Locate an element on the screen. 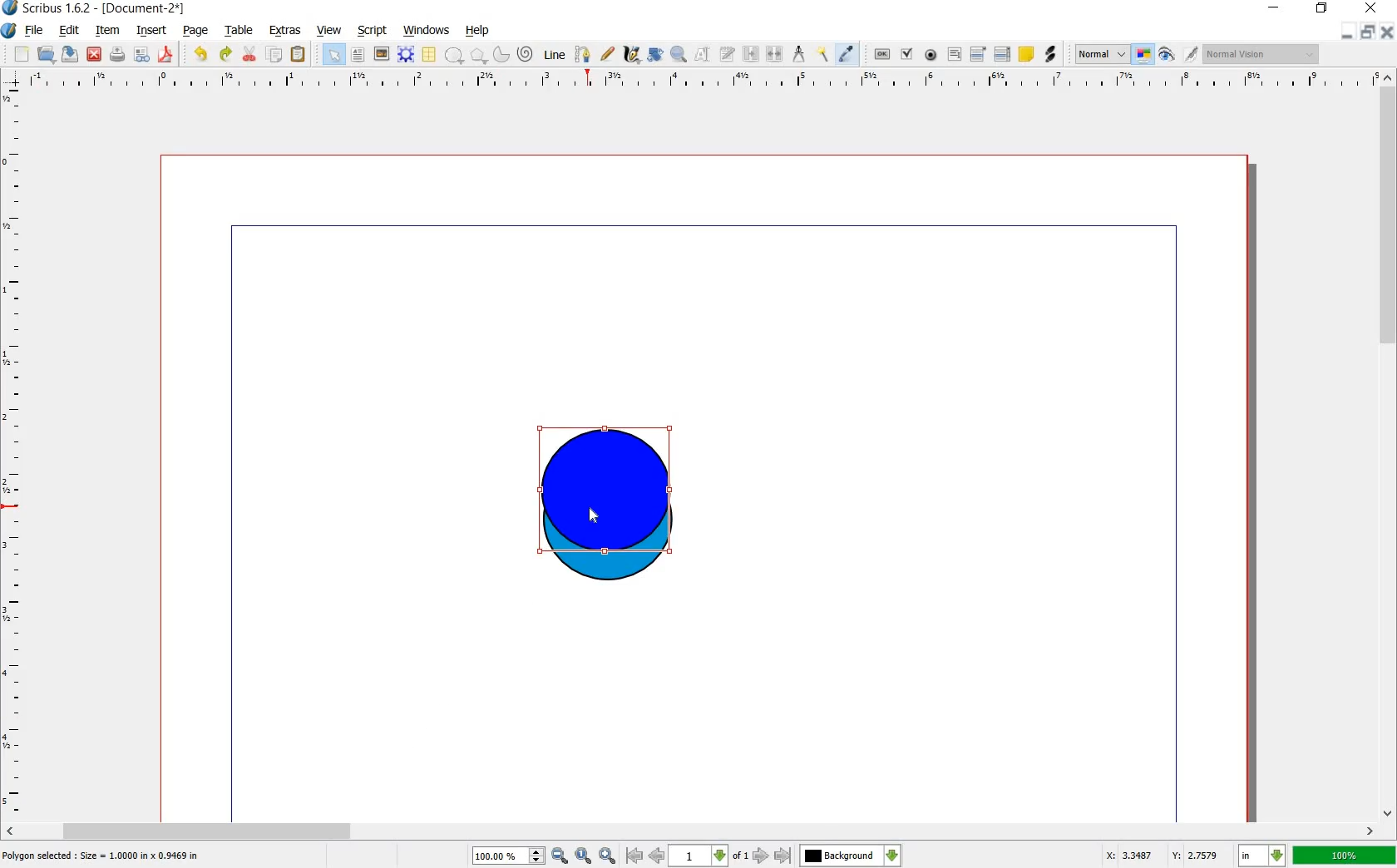  spiral is located at coordinates (525, 55).